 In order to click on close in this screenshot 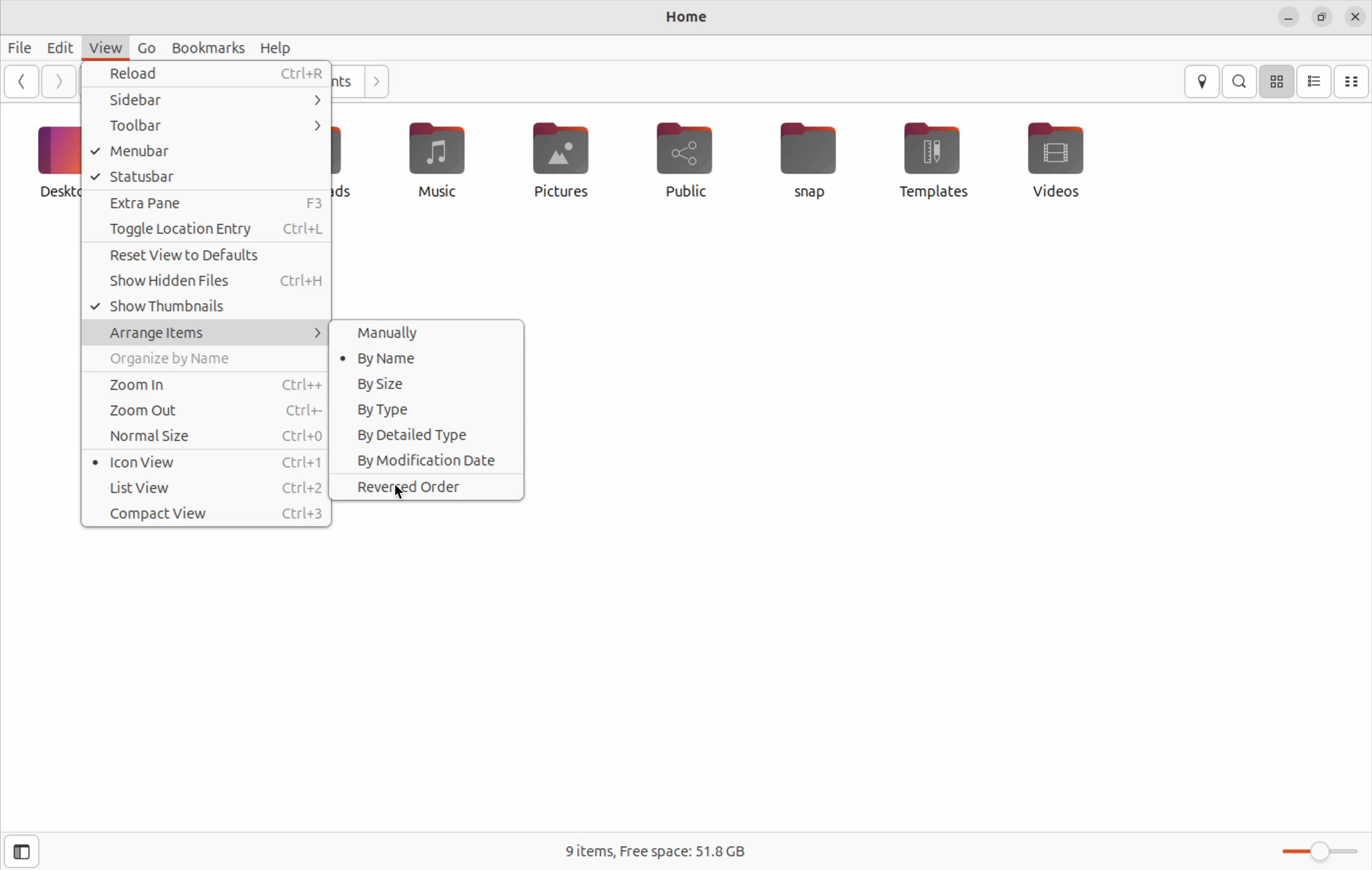, I will do `click(1355, 17)`.